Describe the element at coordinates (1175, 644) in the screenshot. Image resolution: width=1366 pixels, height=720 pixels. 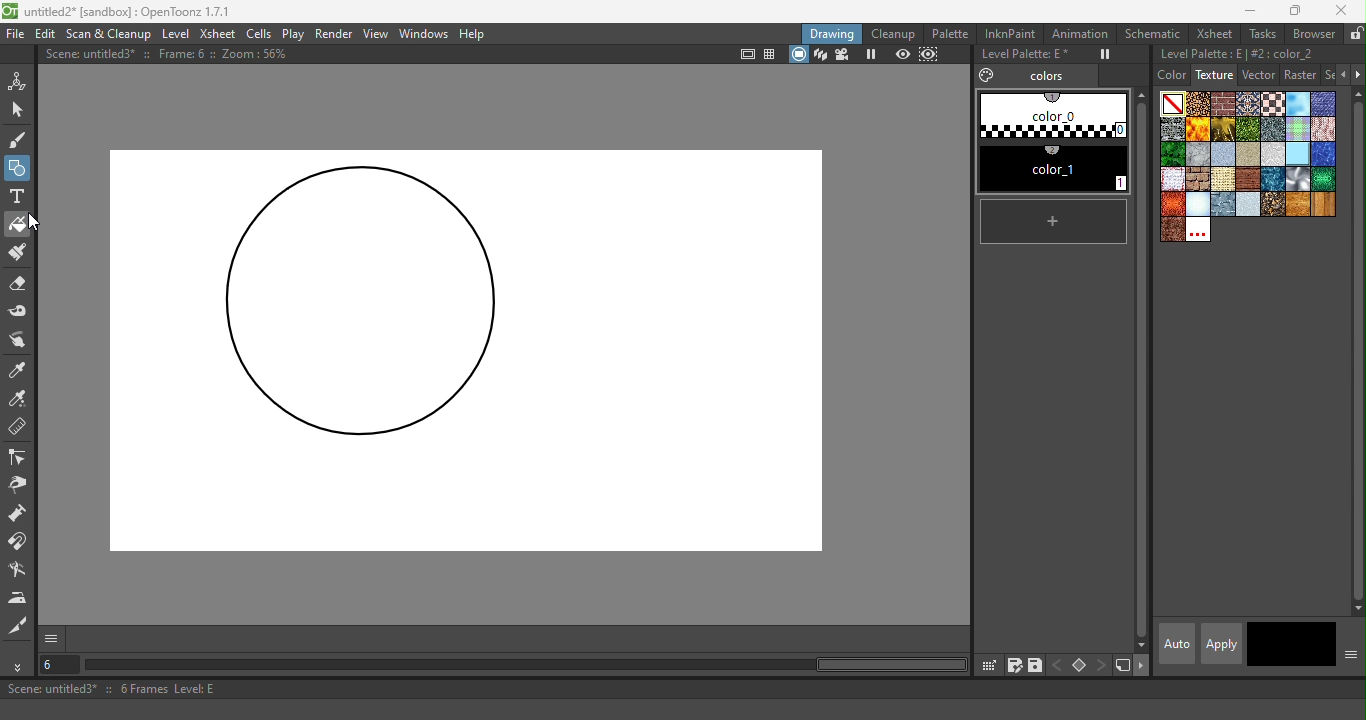
I see `Auto` at that location.